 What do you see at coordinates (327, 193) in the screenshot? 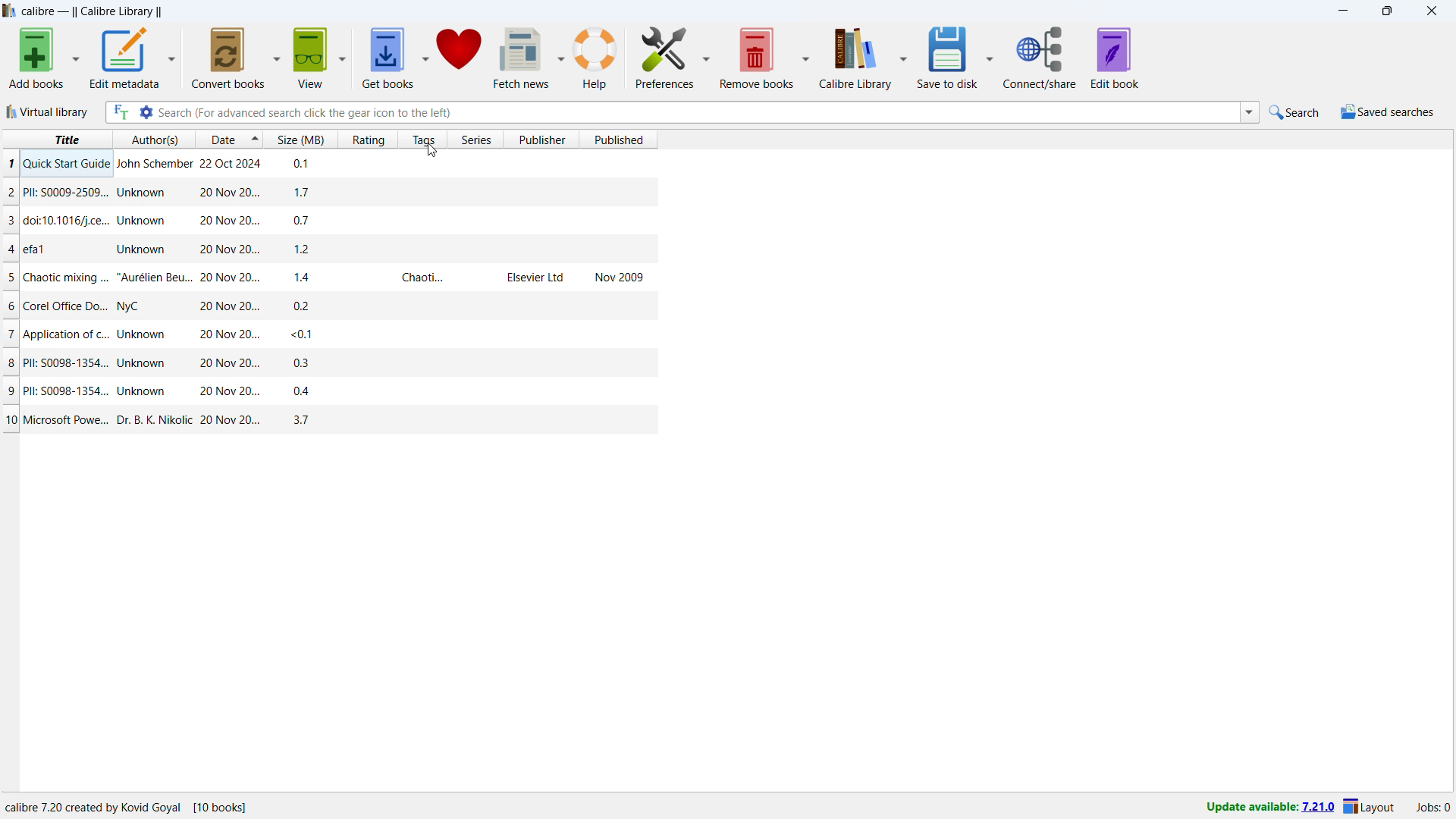
I see `one book entry` at bounding box center [327, 193].